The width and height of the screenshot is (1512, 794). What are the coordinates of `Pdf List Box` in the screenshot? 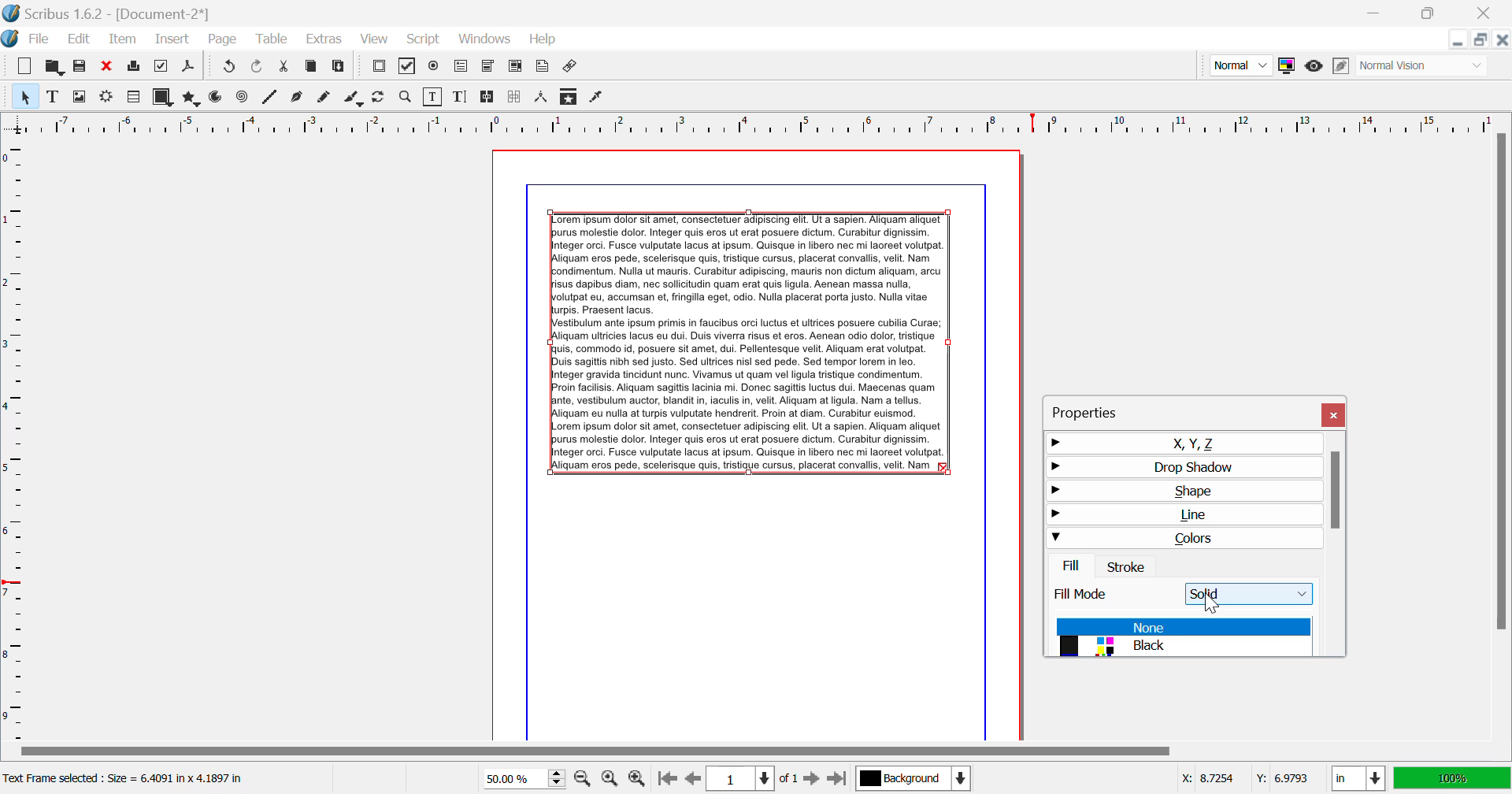 It's located at (515, 68).